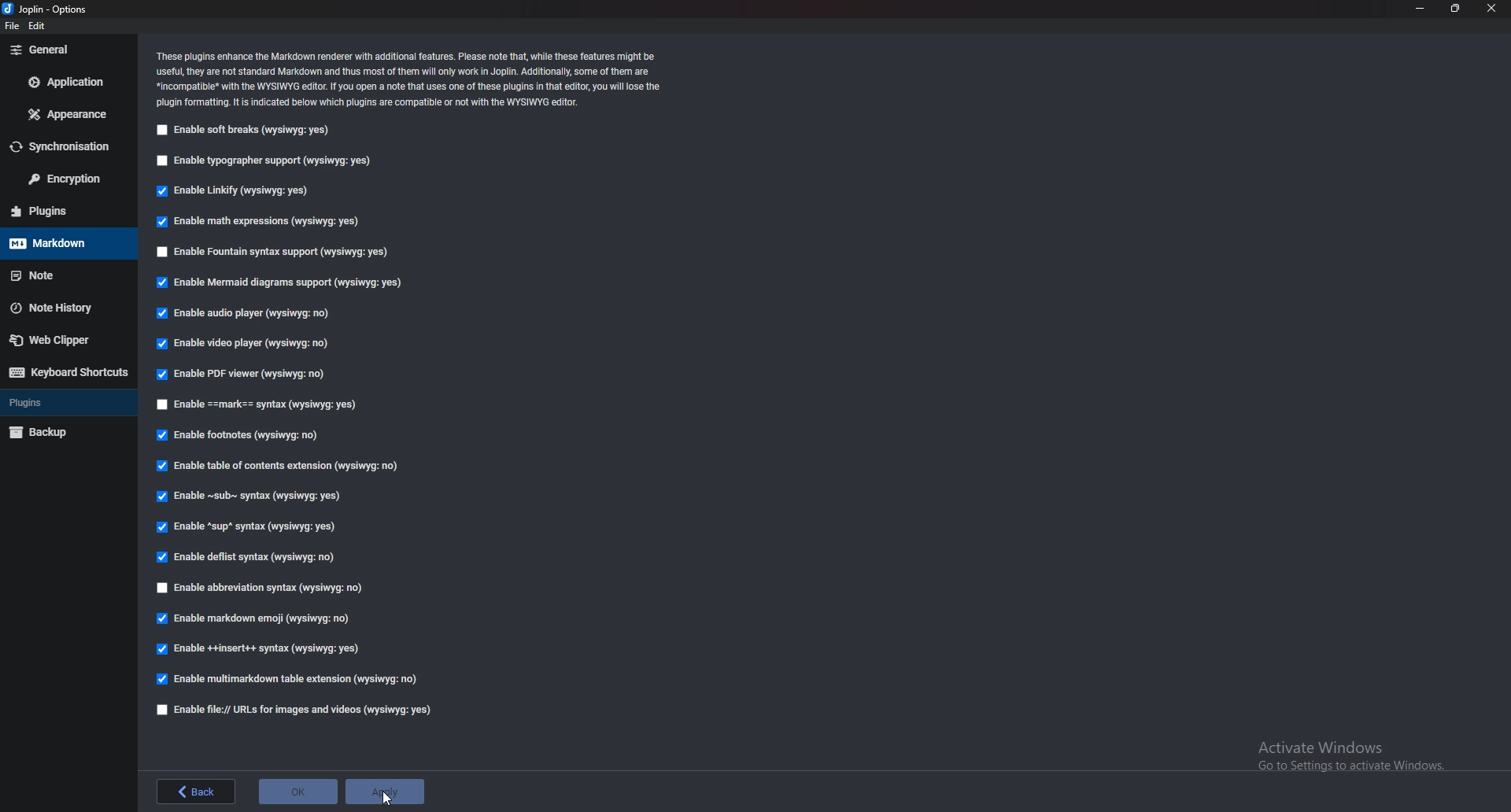 The height and width of the screenshot is (812, 1511). What do you see at coordinates (59, 275) in the screenshot?
I see `note` at bounding box center [59, 275].